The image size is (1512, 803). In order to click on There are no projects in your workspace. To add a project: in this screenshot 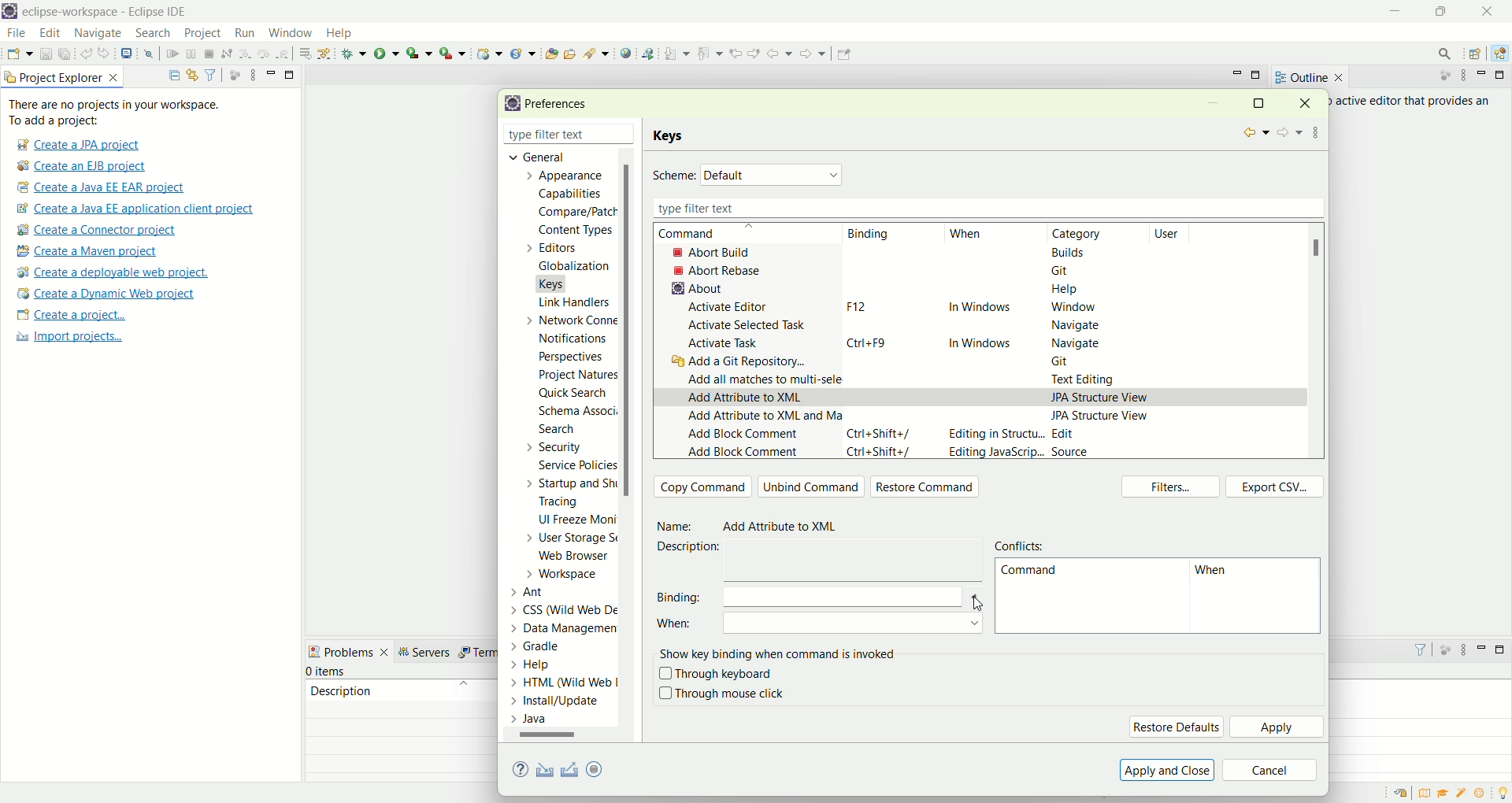, I will do `click(118, 113)`.